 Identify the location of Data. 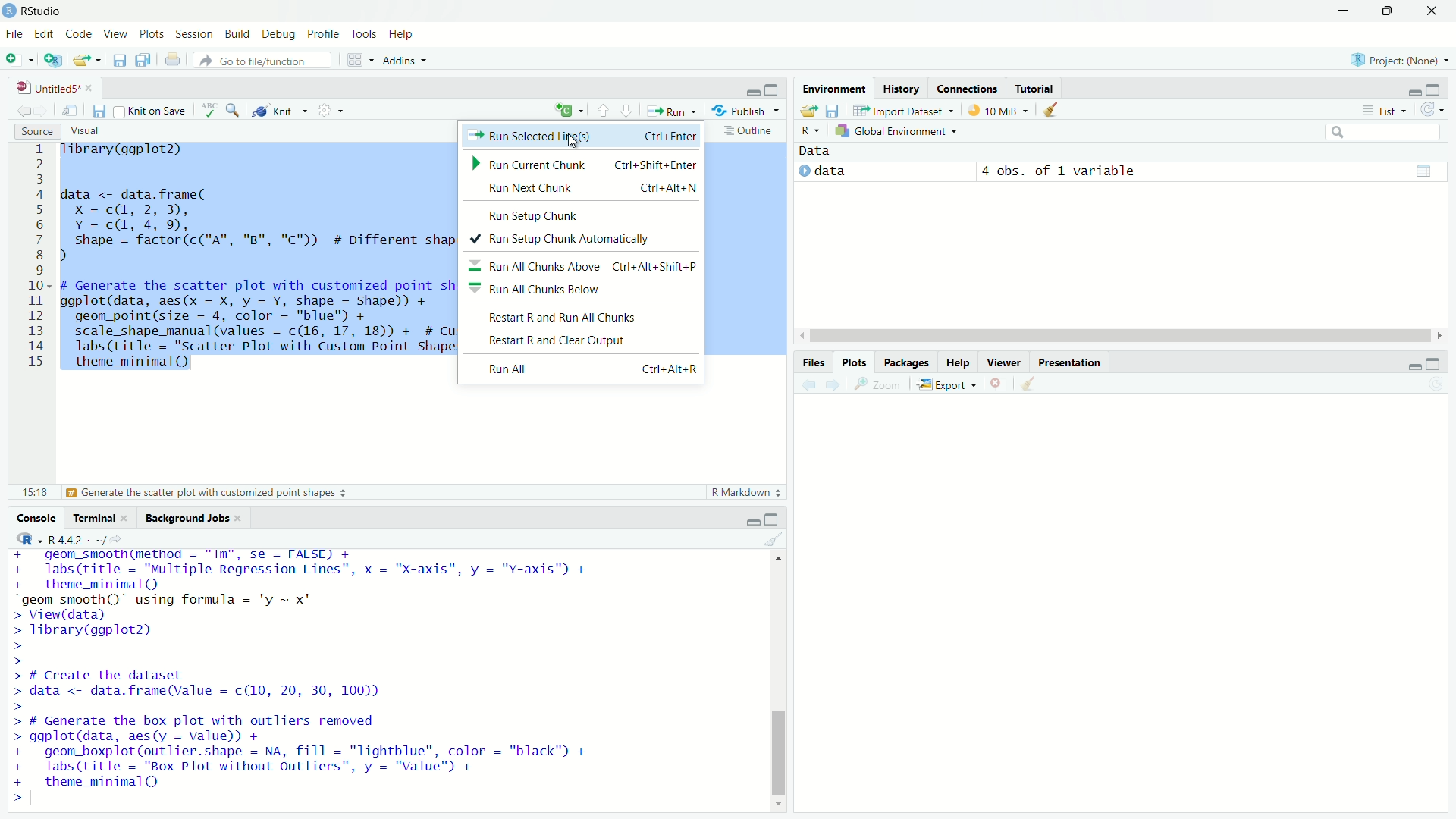
(815, 151).